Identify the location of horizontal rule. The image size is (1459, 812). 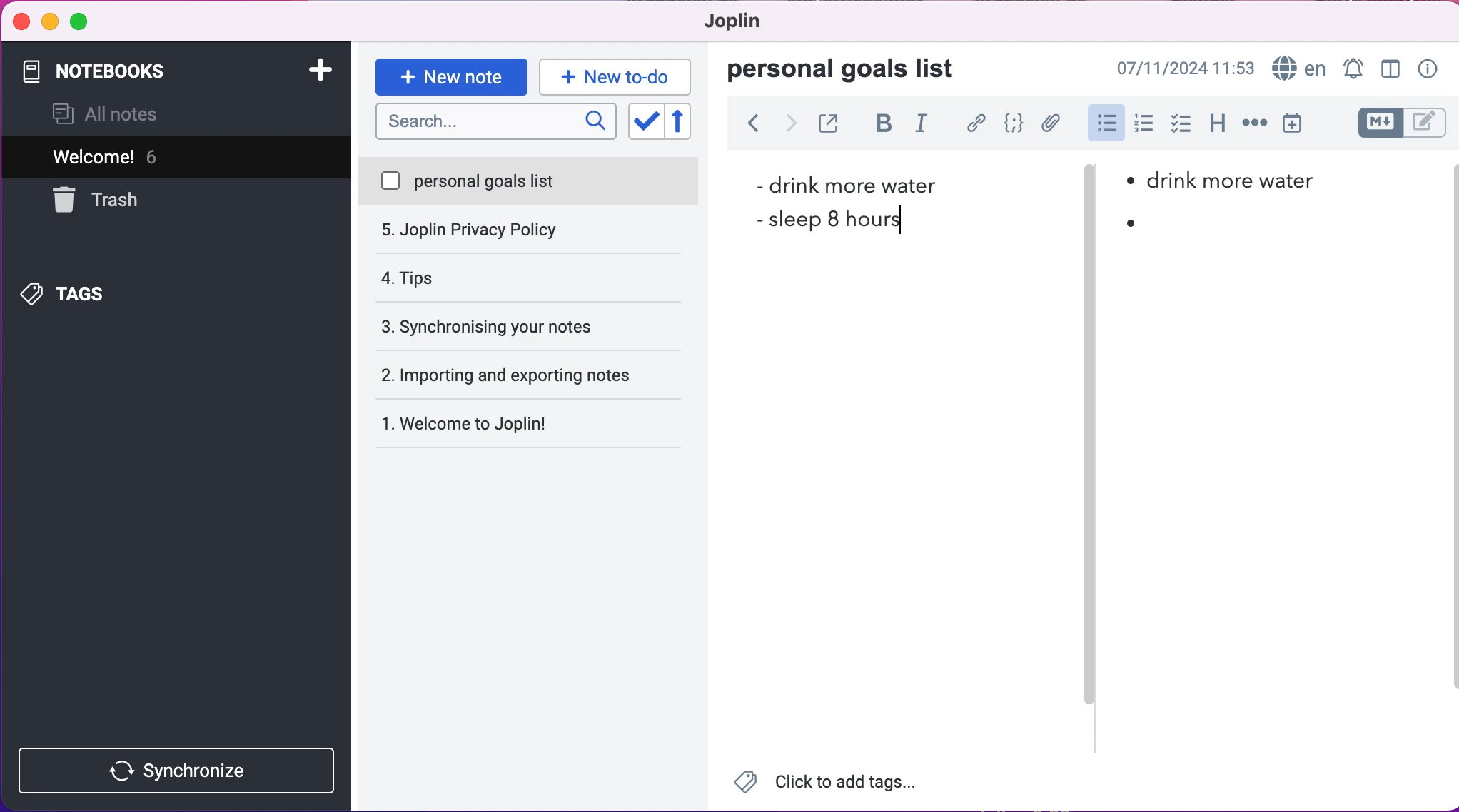
(1252, 128).